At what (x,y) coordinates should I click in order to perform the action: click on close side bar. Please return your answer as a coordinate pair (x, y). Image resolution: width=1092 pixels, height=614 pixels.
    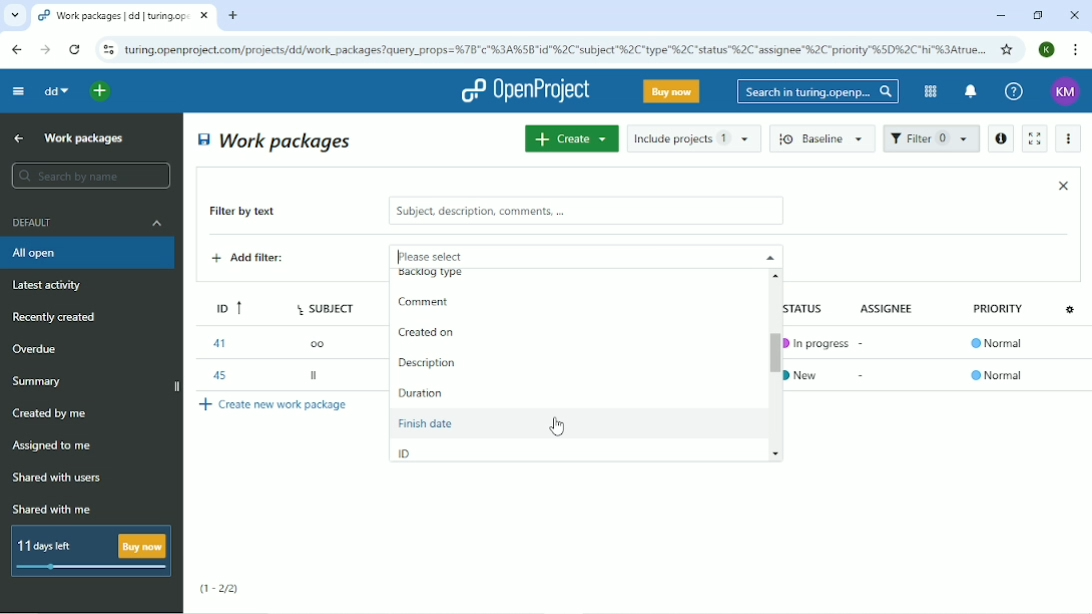
    Looking at the image, I should click on (175, 388).